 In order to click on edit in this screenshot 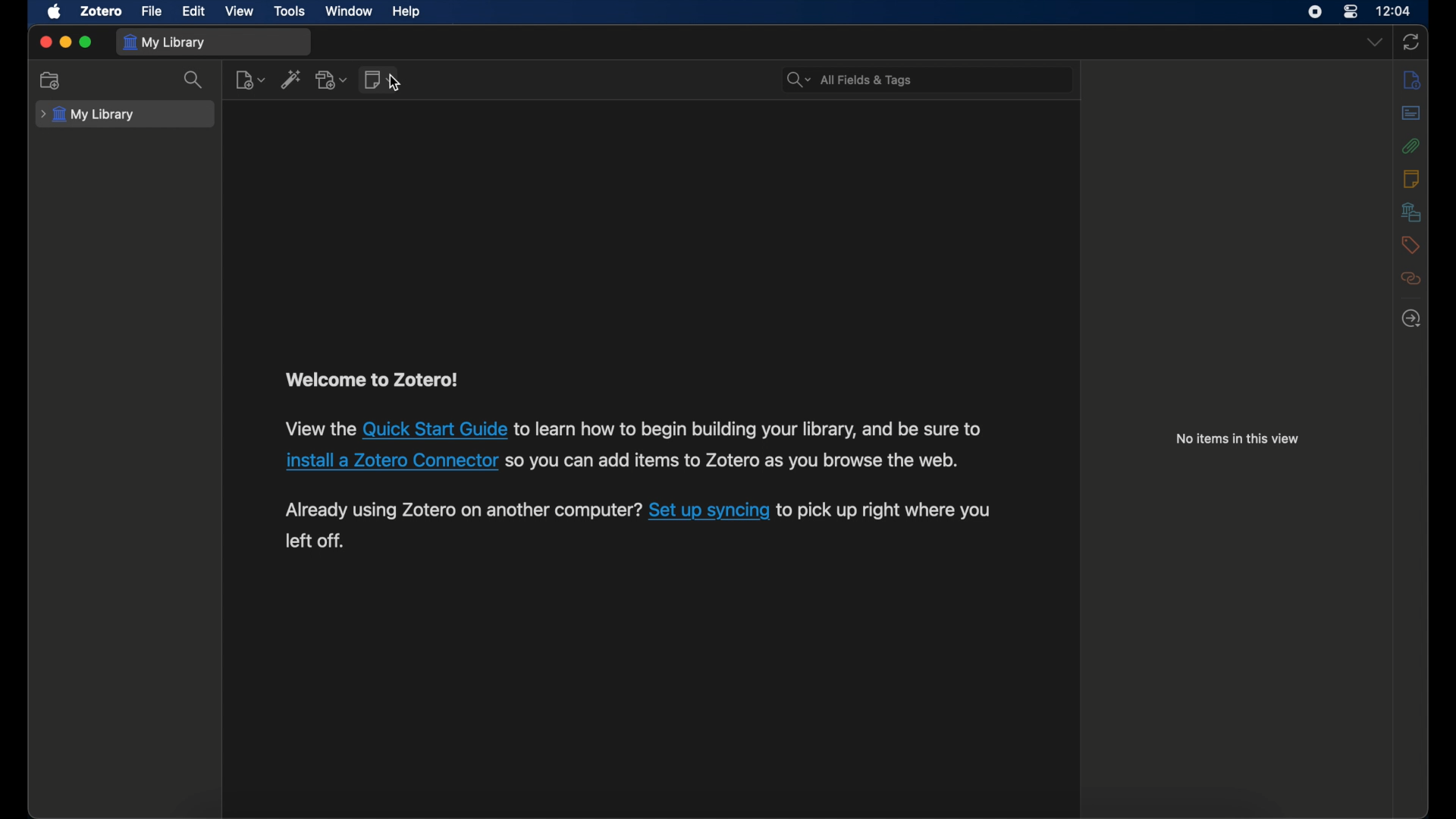, I will do `click(194, 11)`.